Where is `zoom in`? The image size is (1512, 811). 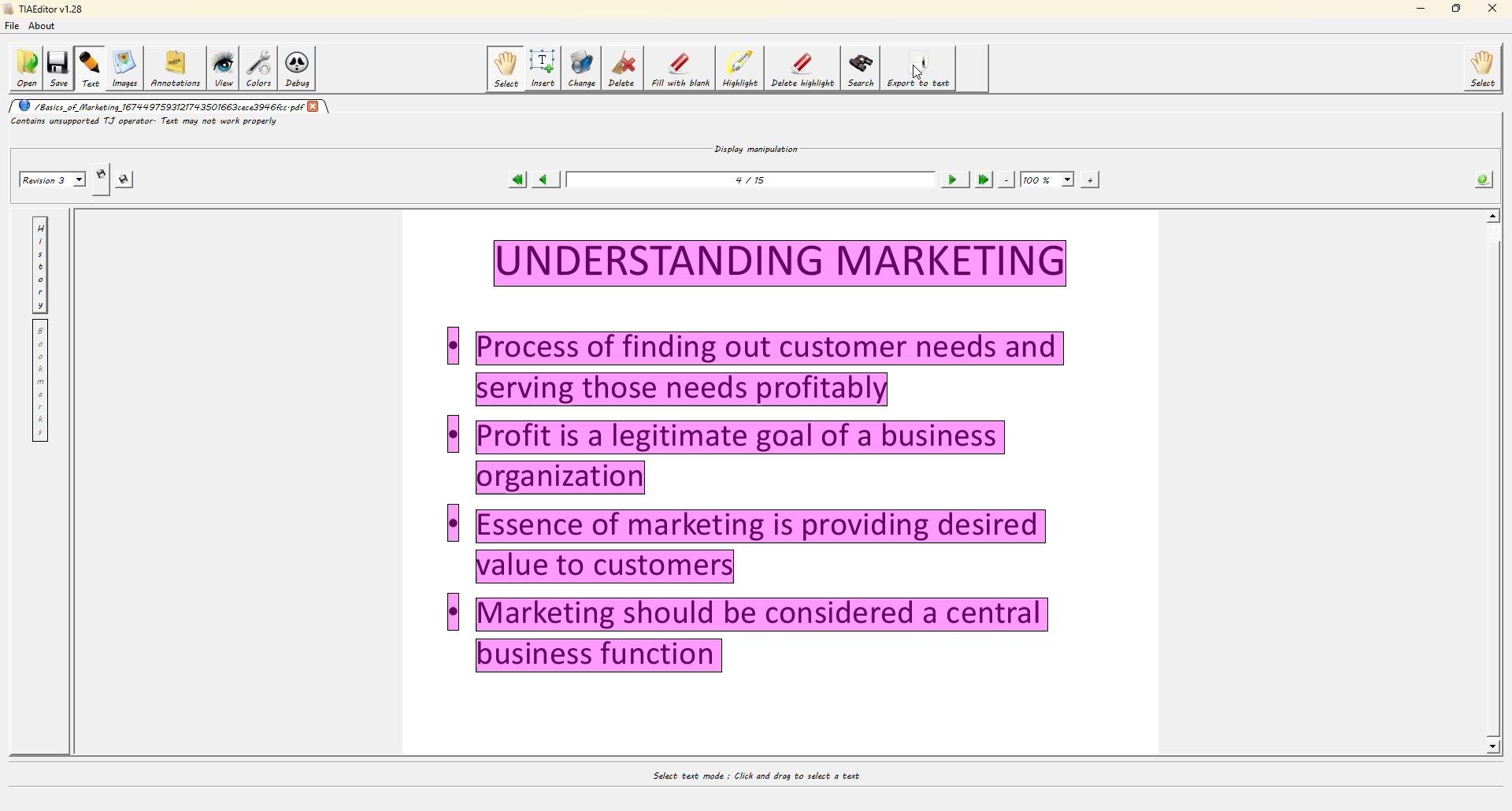
zoom in is located at coordinates (1048, 180).